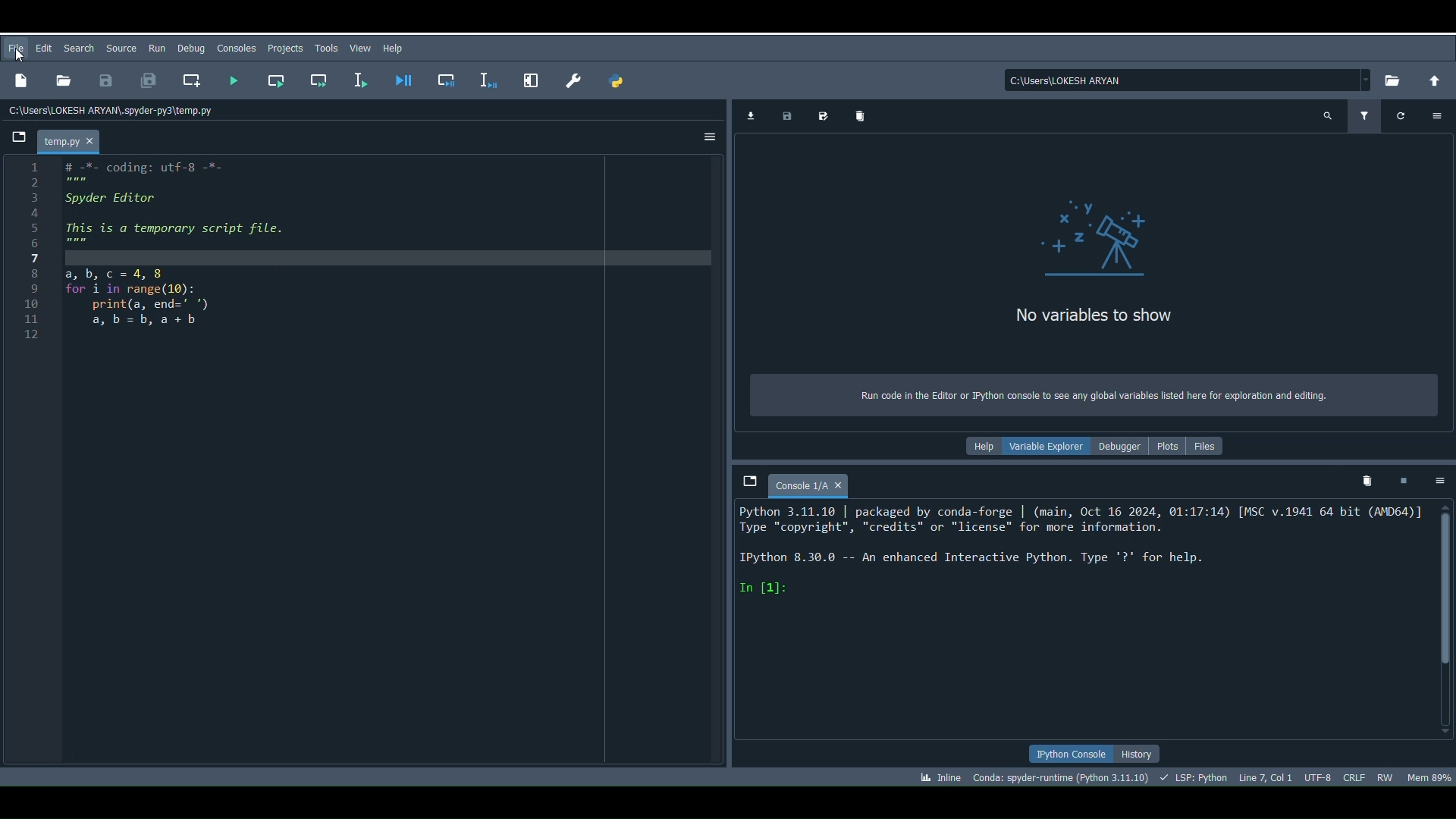  Describe the element at coordinates (1186, 78) in the screenshot. I see `C:\Users\LOKESH ARYAN` at that location.